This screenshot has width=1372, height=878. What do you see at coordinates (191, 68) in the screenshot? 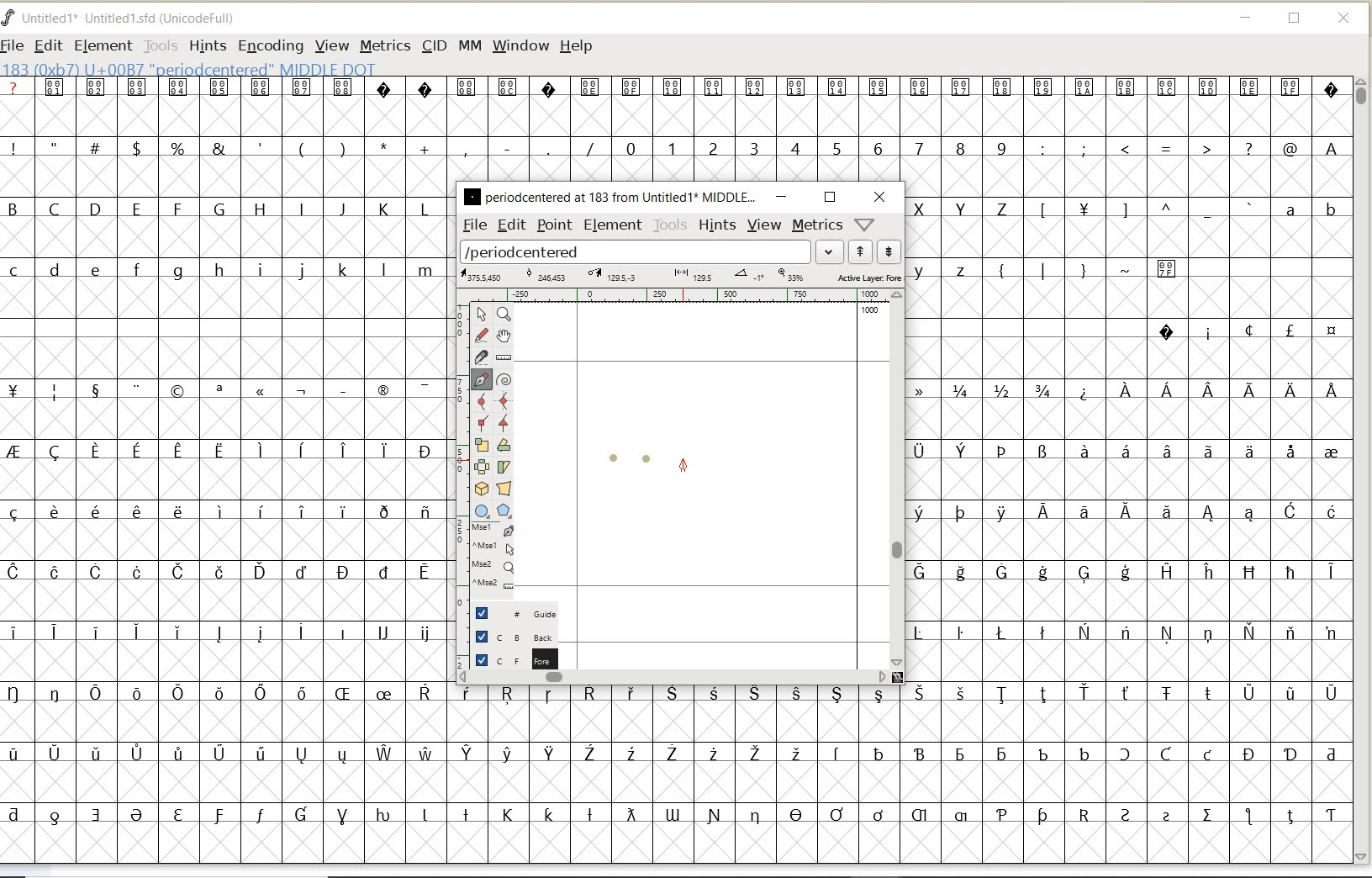
I see `glyph info` at bounding box center [191, 68].